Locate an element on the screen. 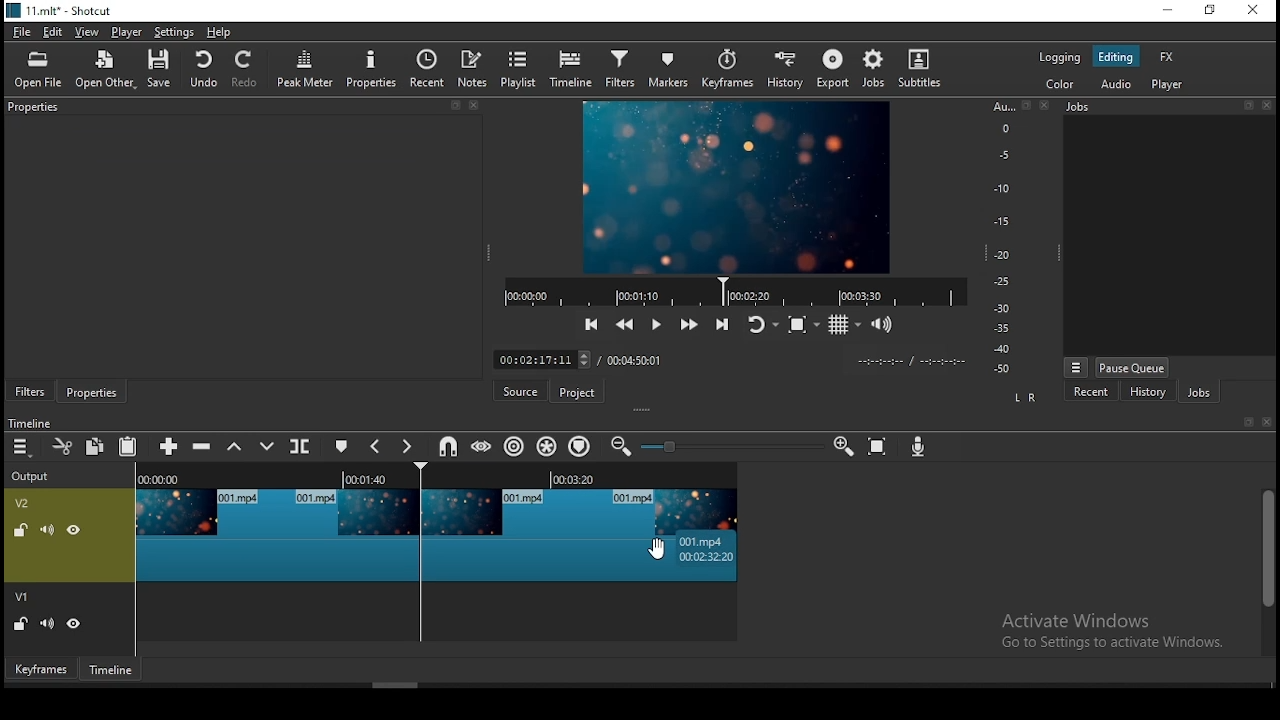 This screenshot has width=1280, height=720. help is located at coordinates (219, 31).